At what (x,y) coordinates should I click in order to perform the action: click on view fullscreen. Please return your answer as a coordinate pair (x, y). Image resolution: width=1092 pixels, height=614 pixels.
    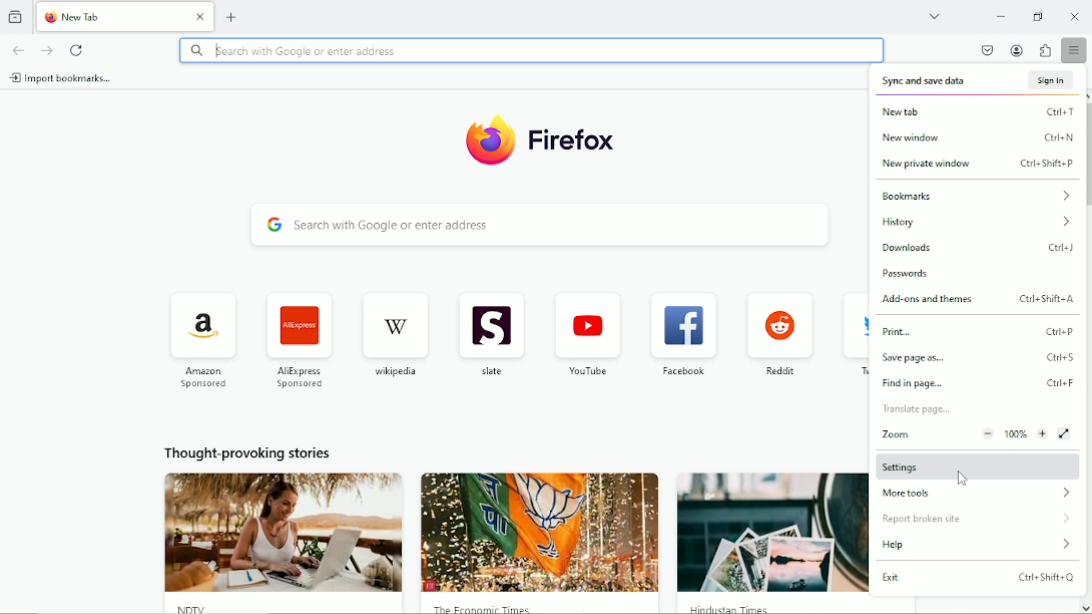
    Looking at the image, I should click on (1065, 434).